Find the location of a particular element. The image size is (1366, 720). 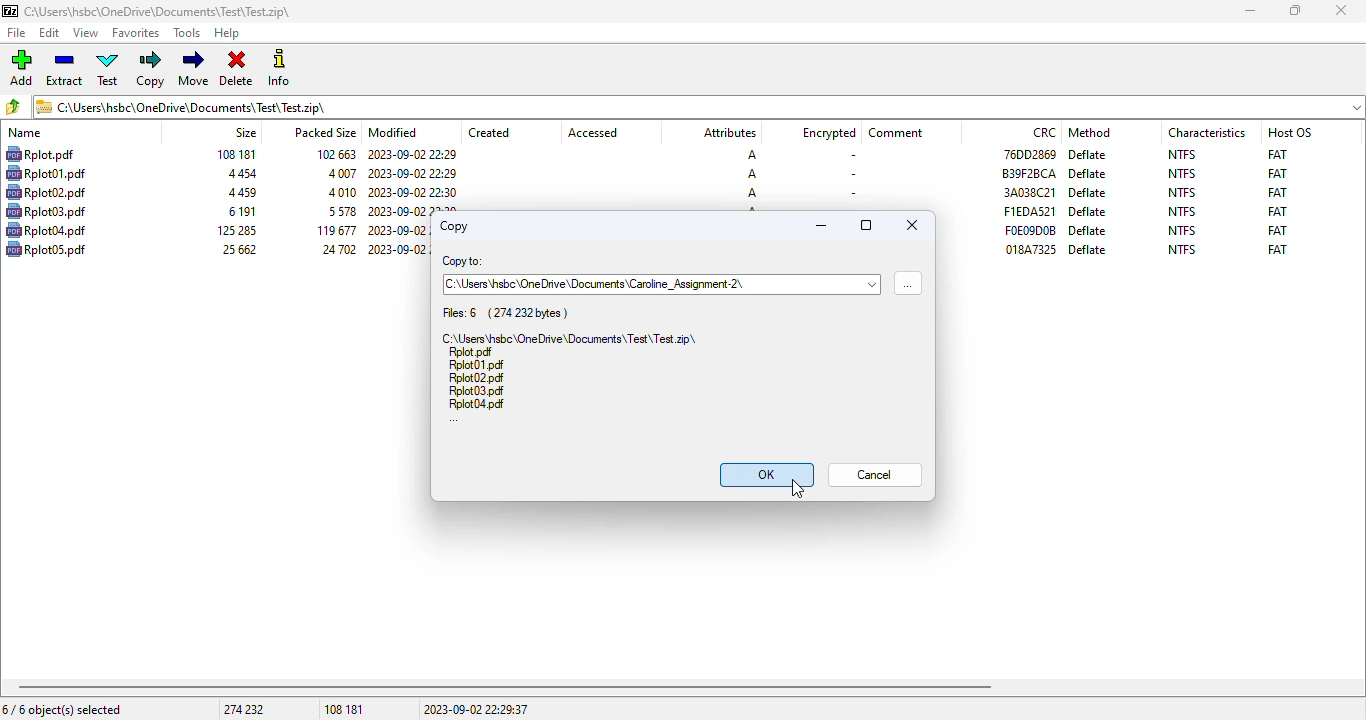

help is located at coordinates (227, 34).